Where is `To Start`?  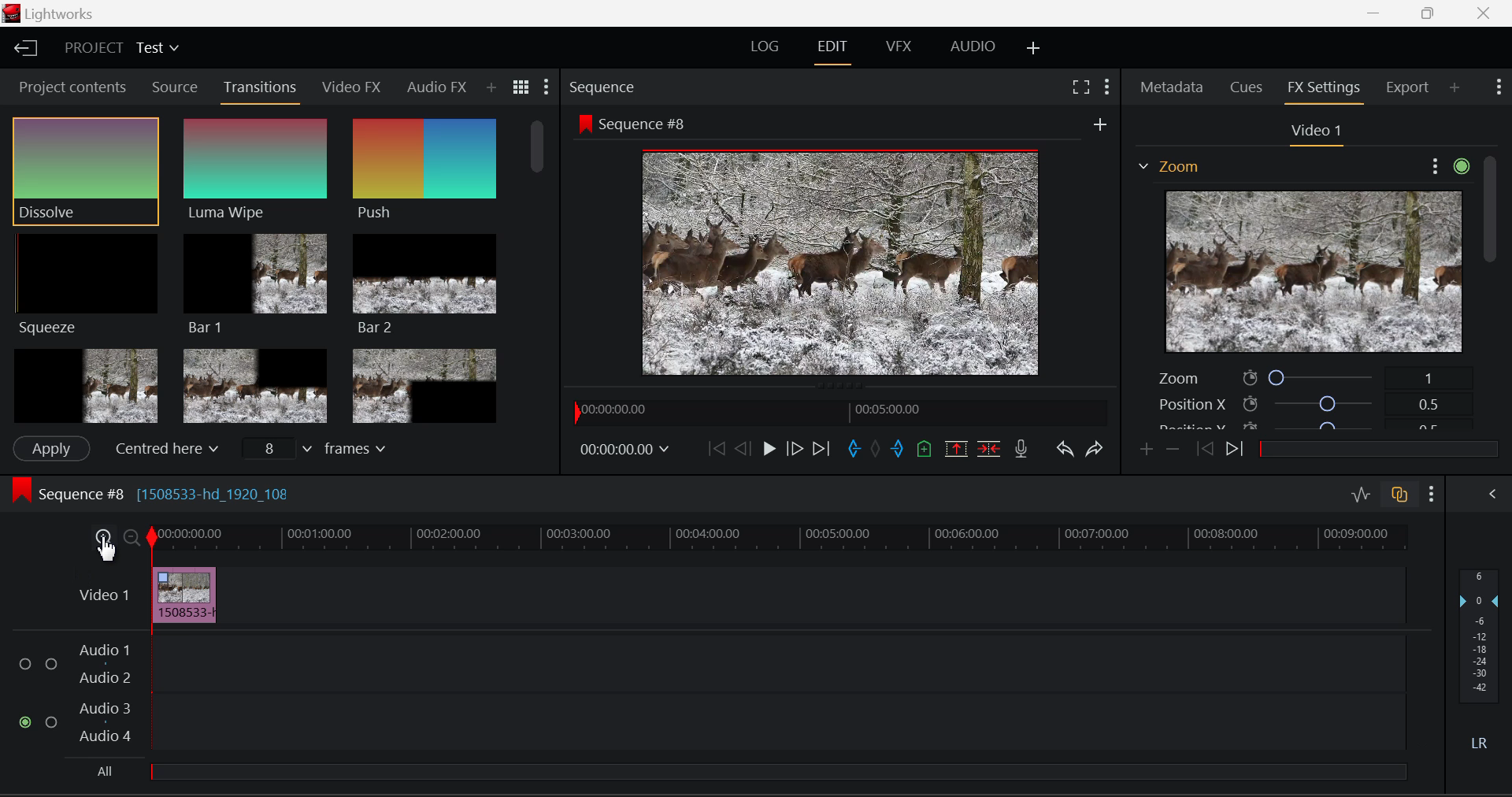 To Start is located at coordinates (715, 450).